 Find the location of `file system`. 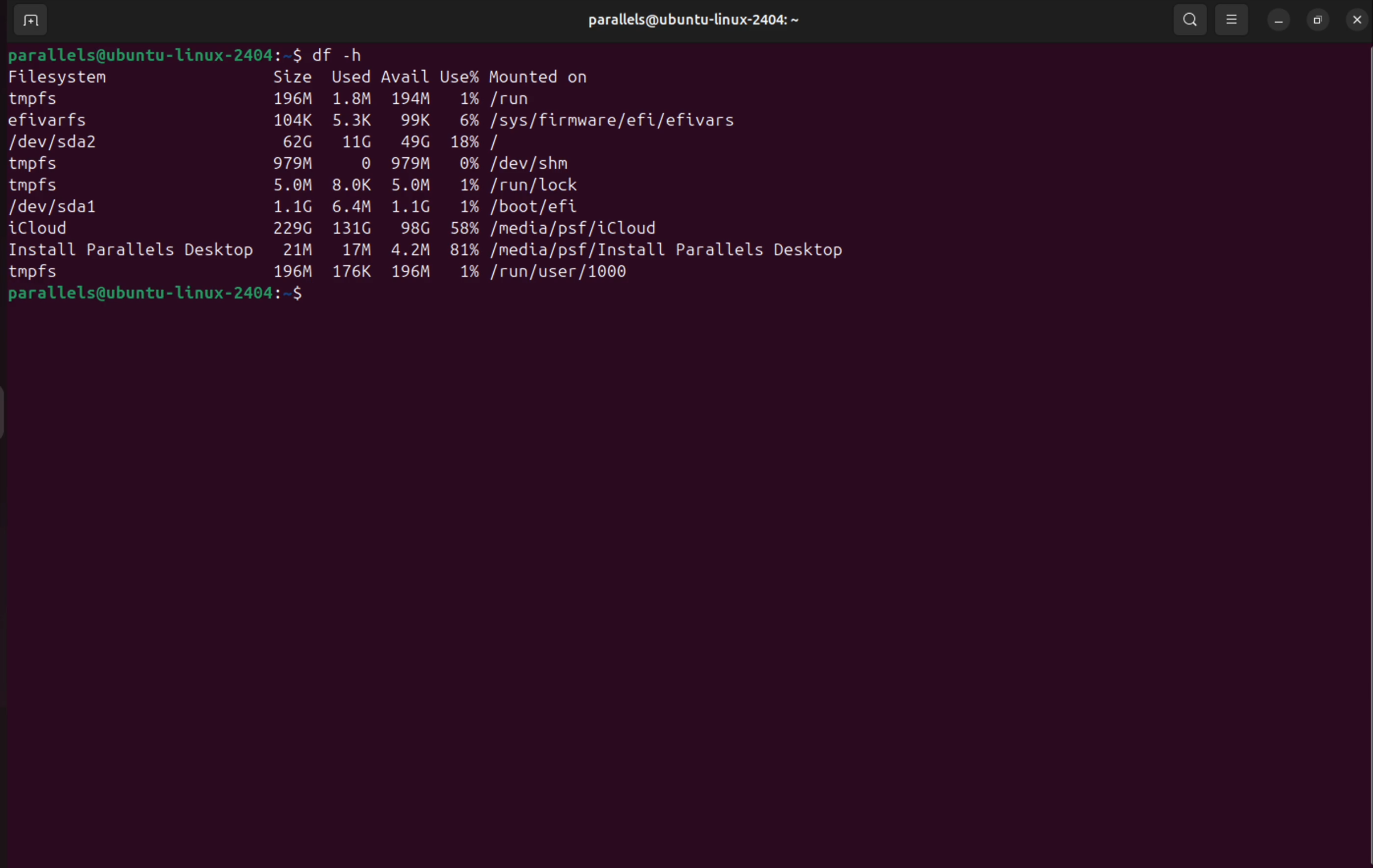

file system is located at coordinates (68, 78).